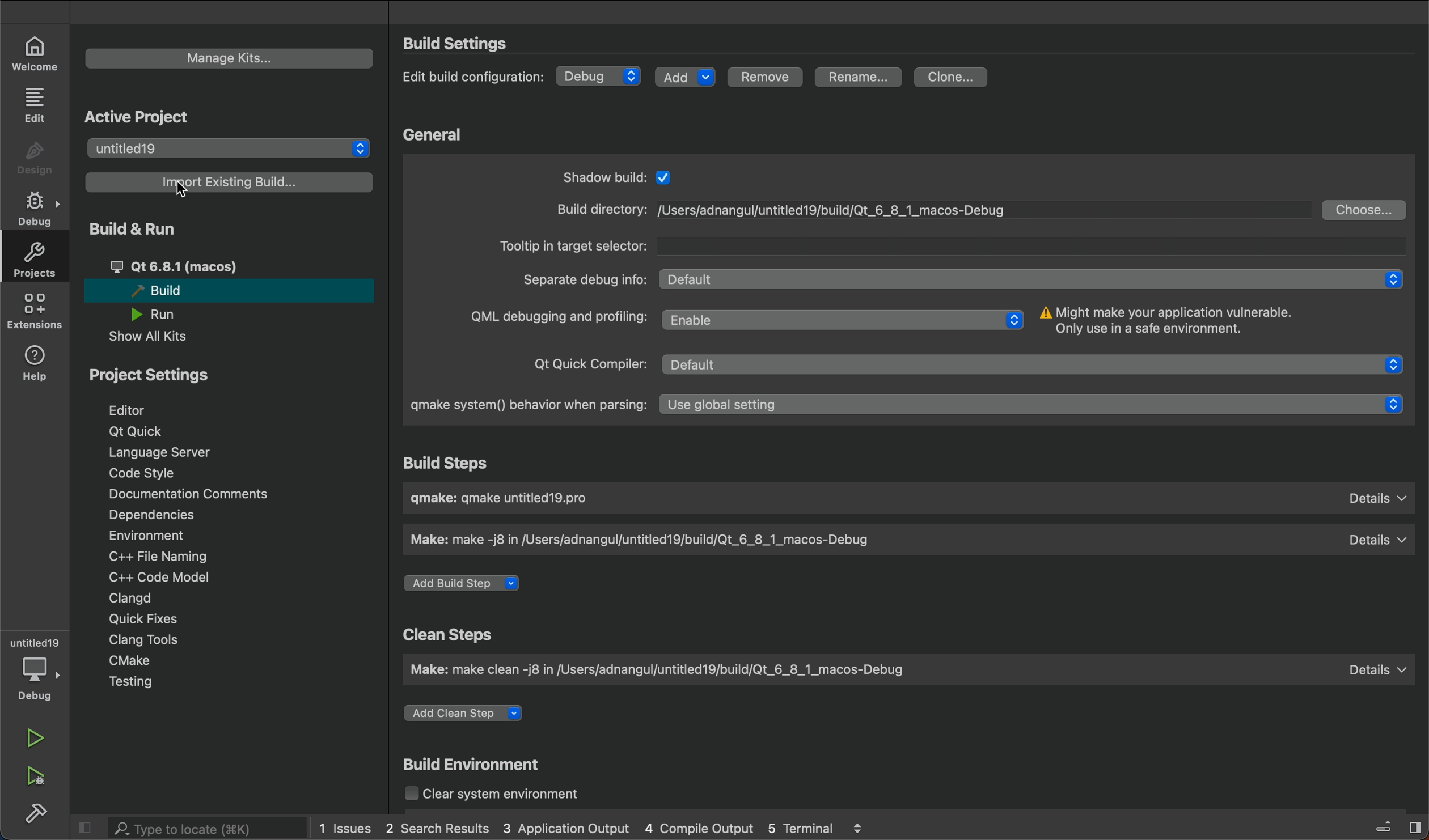 The width and height of the screenshot is (1429, 840). I want to click on close side bar, so click(86, 826).